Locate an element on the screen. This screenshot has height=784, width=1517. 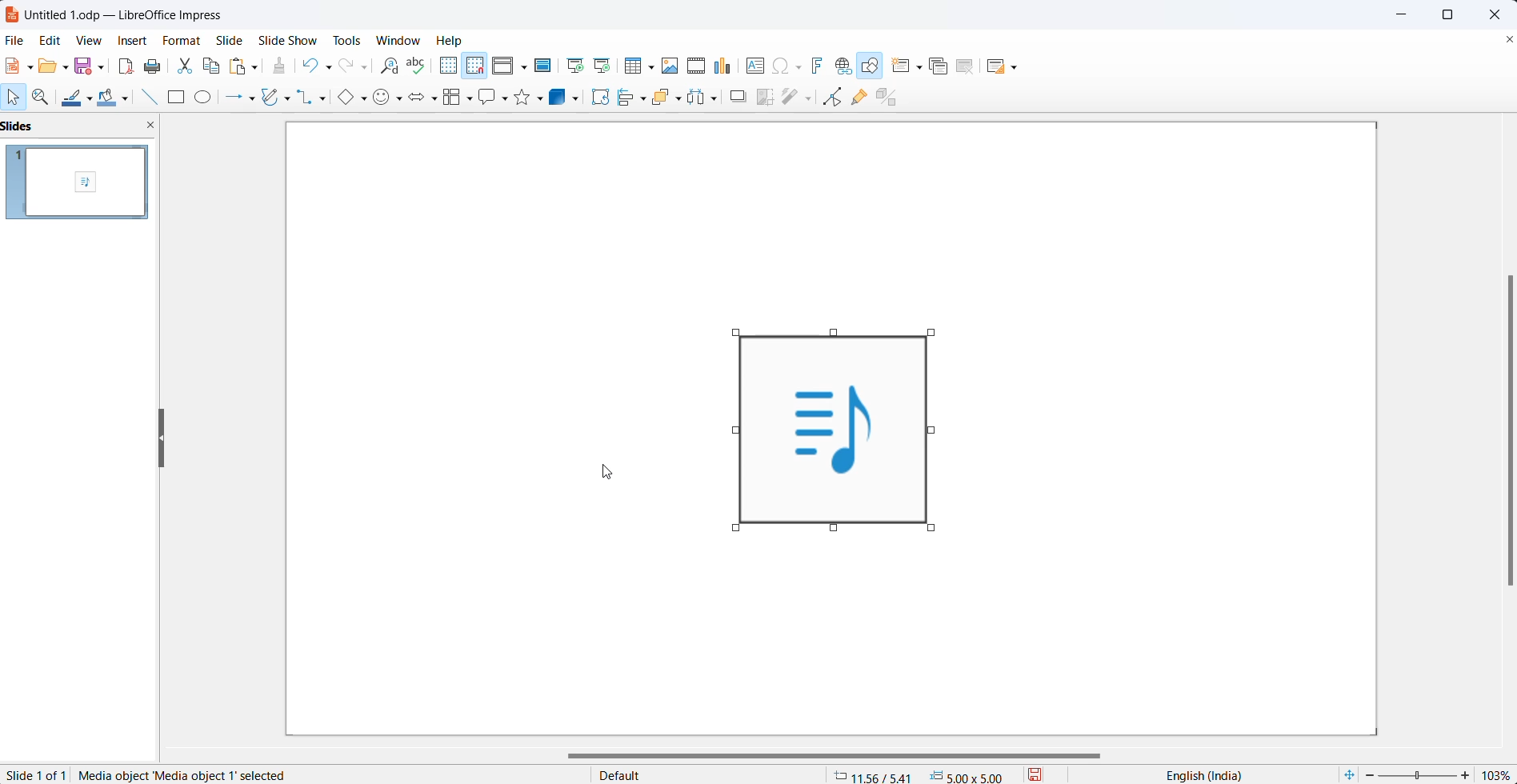
slide and close slides is located at coordinates (83, 126).